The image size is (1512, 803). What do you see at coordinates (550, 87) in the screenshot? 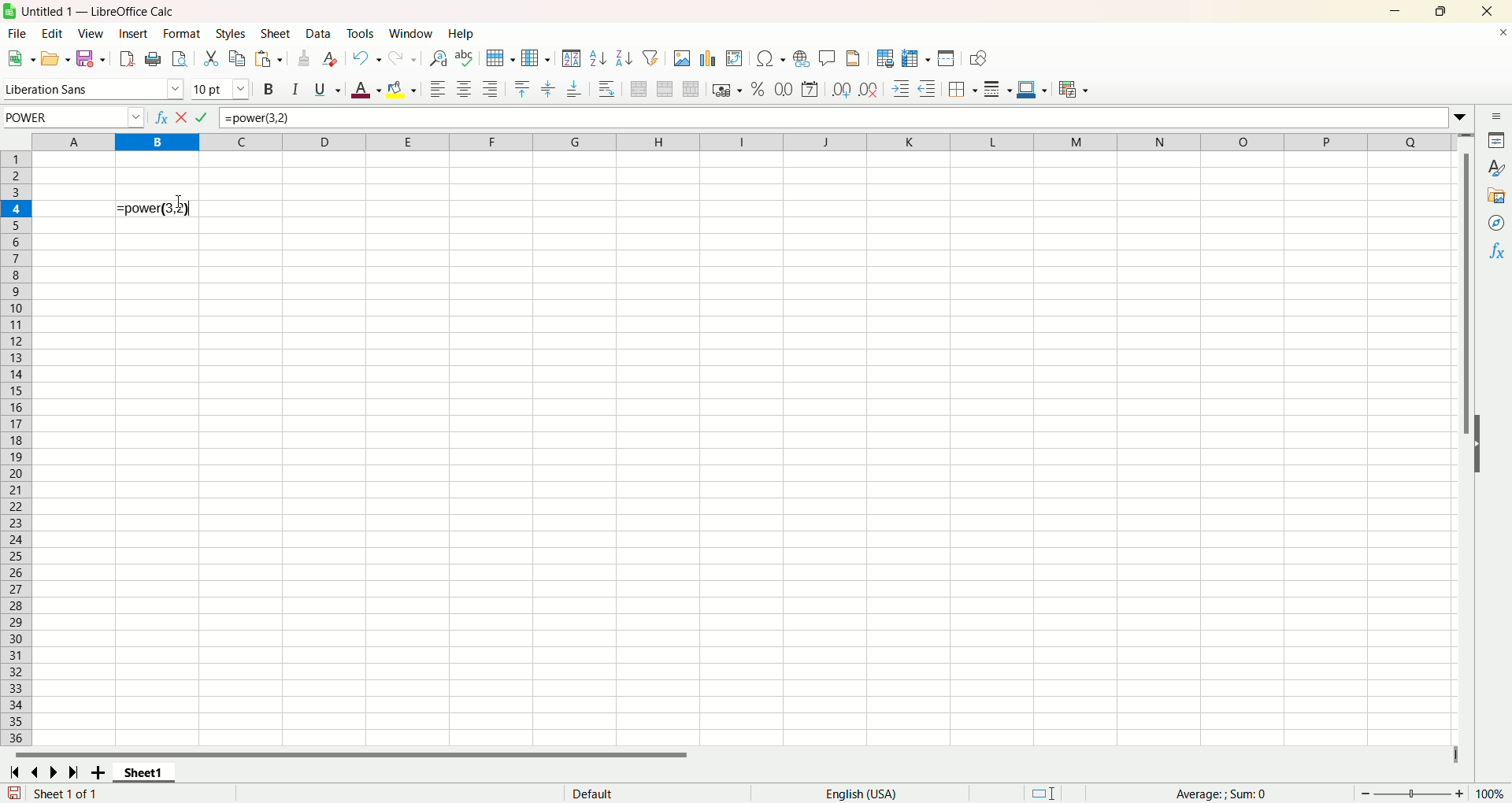
I see `center vertically` at bounding box center [550, 87].